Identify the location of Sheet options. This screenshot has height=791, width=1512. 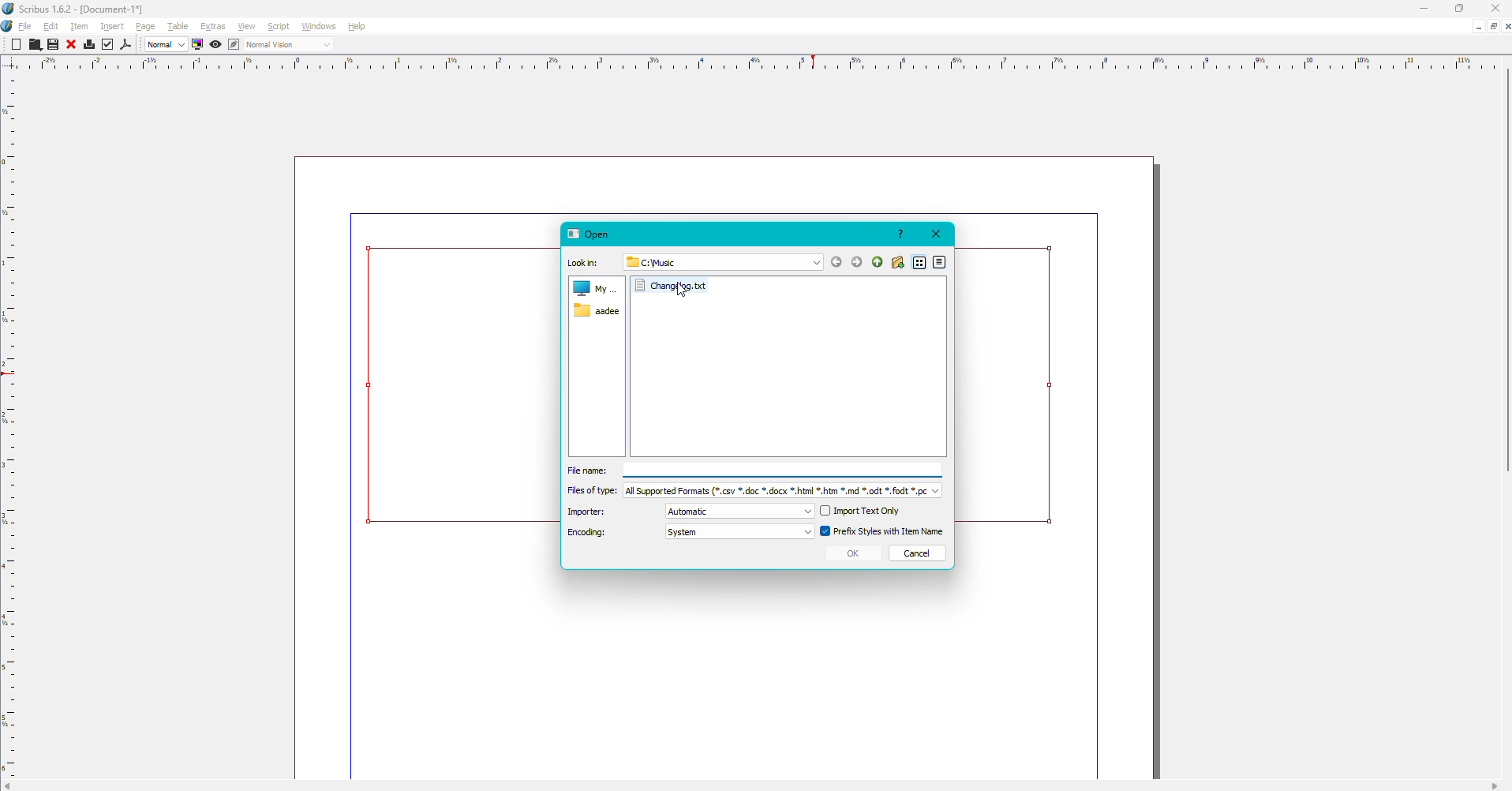
(1483, 25).